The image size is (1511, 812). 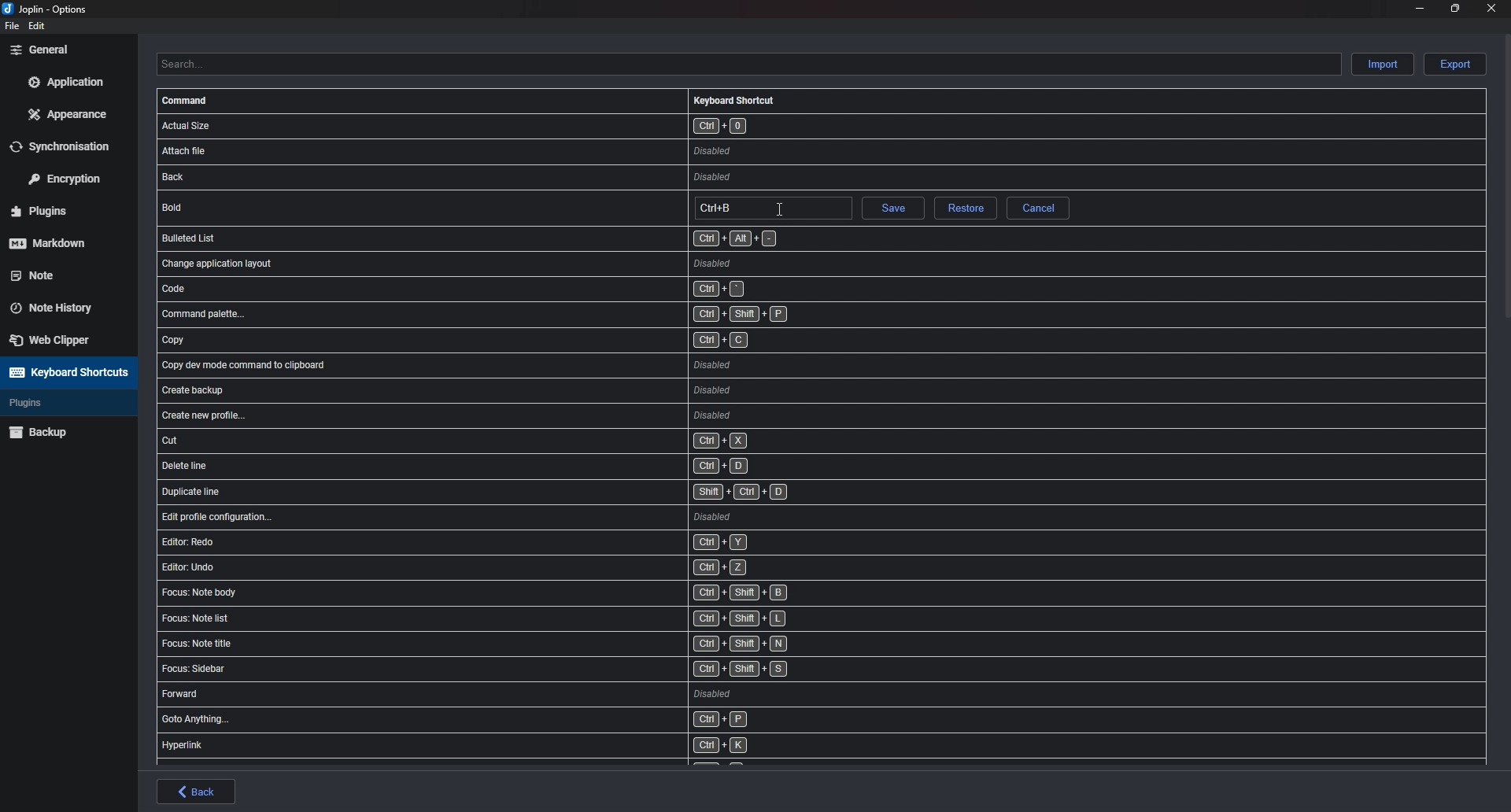 What do you see at coordinates (524, 236) in the screenshot?
I see `shortcut` at bounding box center [524, 236].